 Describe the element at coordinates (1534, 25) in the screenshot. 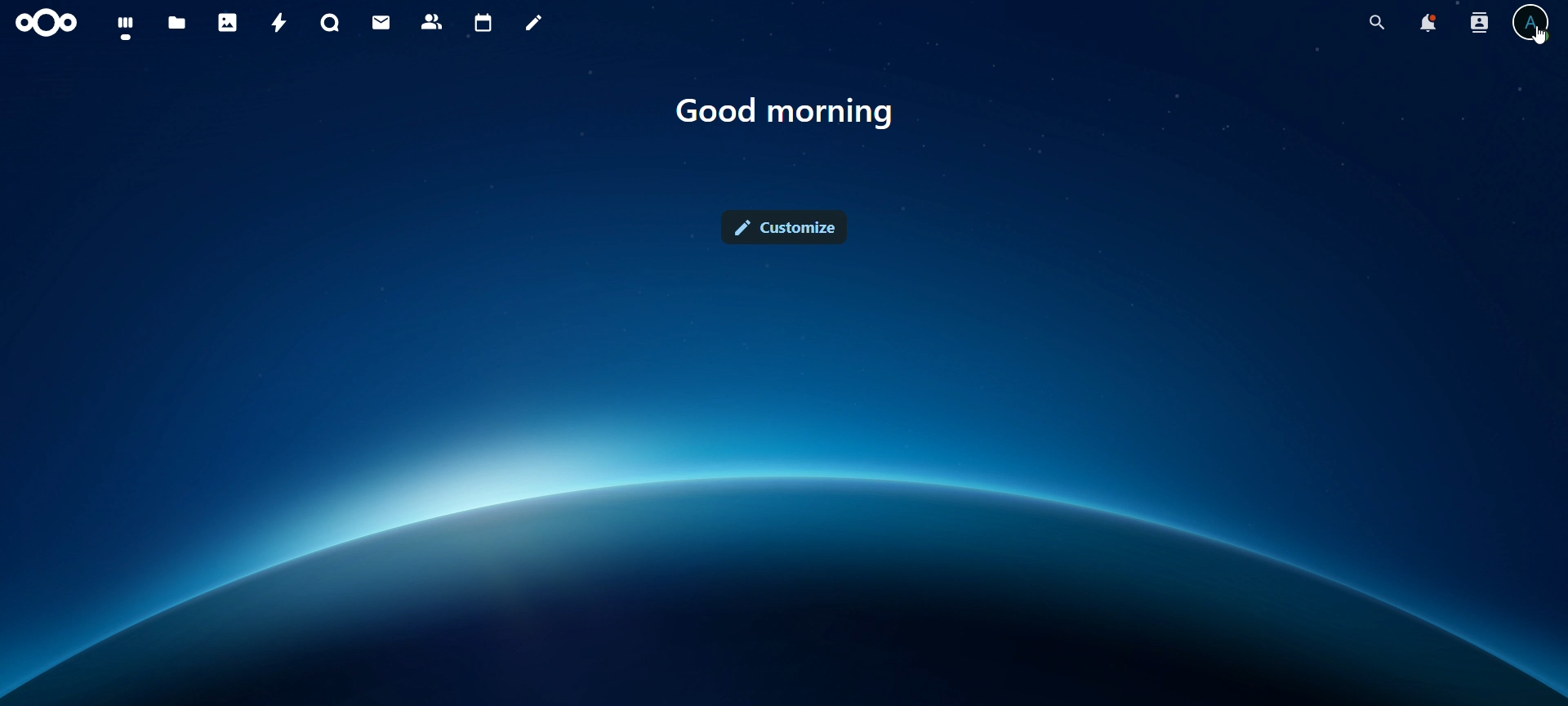

I see `view profile` at that location.